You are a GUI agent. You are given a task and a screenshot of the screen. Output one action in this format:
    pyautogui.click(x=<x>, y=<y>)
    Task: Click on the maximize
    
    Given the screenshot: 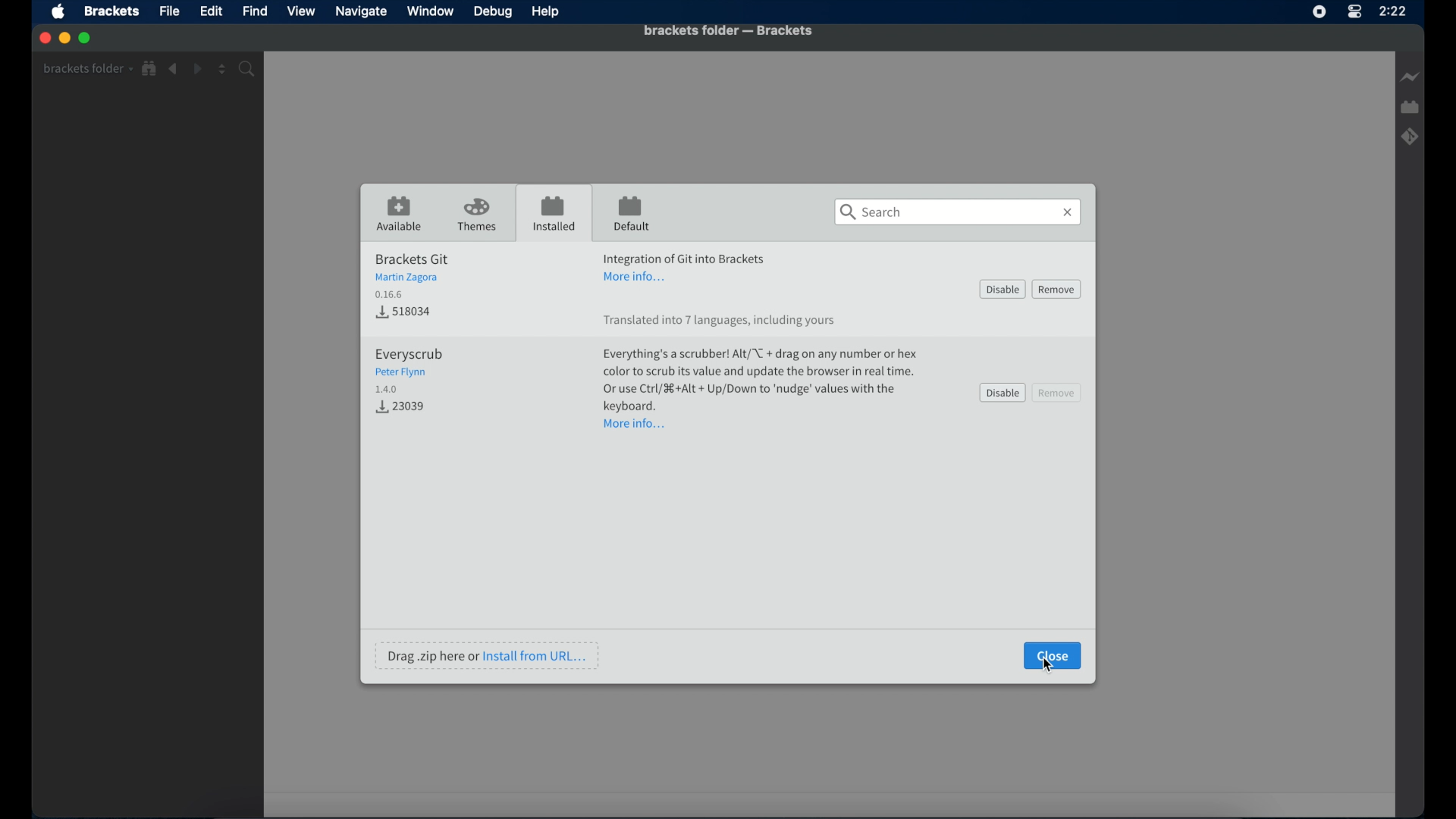 What is the action you would take?
    pyautogui.click(x=86, y=39)
    